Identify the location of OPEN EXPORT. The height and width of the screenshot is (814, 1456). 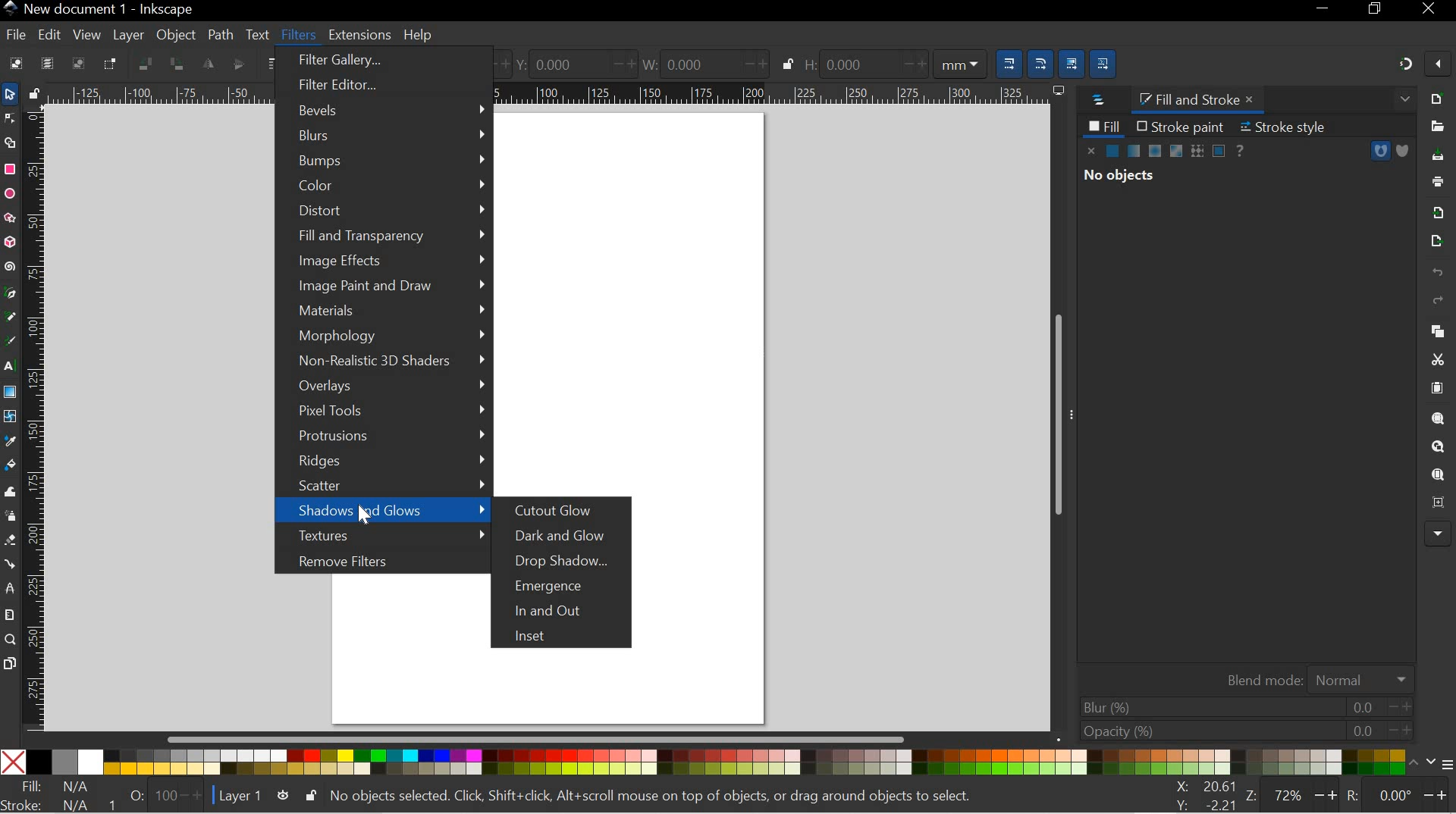
(1434, 242).